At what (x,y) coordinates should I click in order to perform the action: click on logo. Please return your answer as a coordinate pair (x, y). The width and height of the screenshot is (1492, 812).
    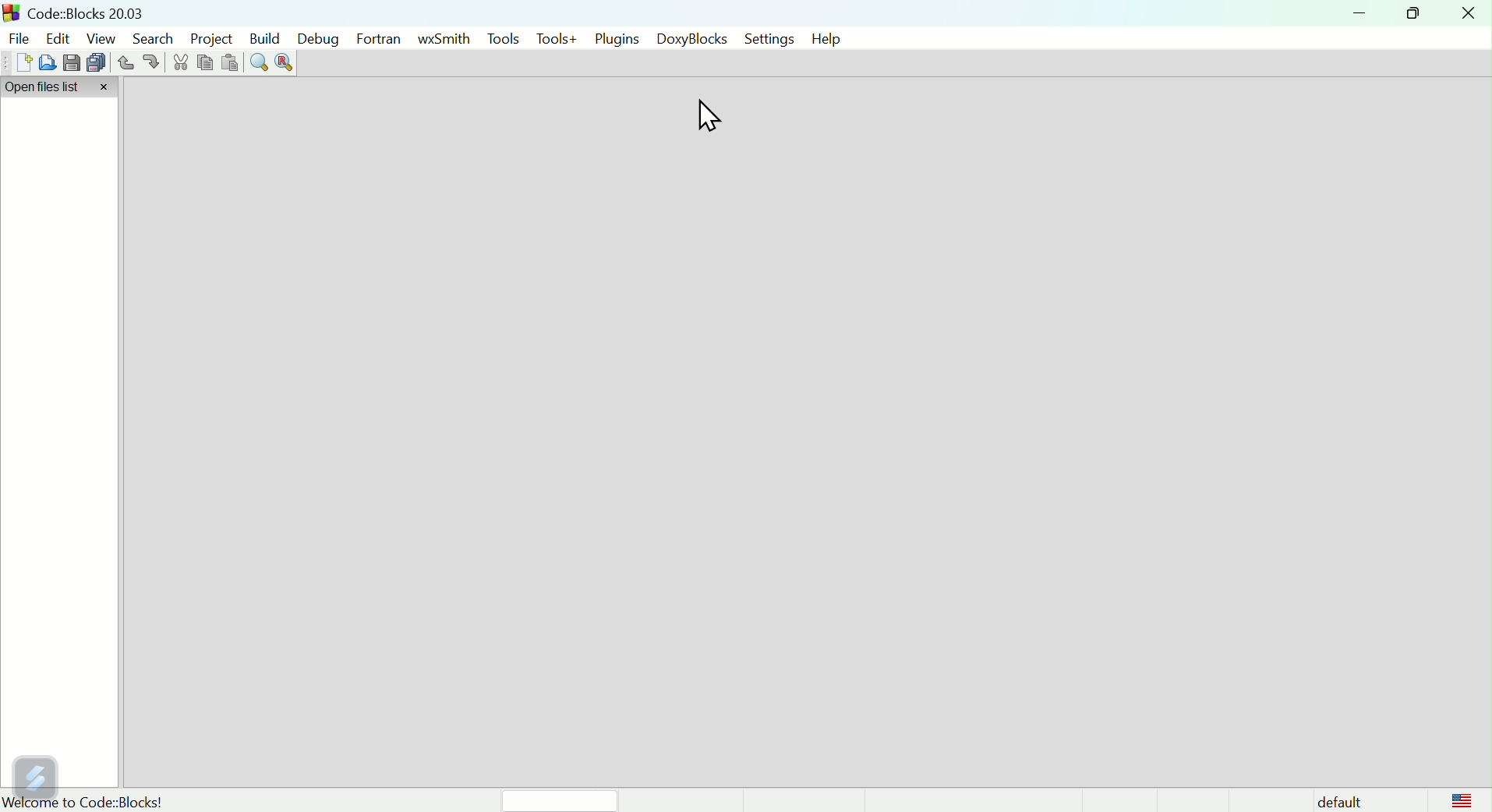
    Looking at the image, I should click on (1462, 800).